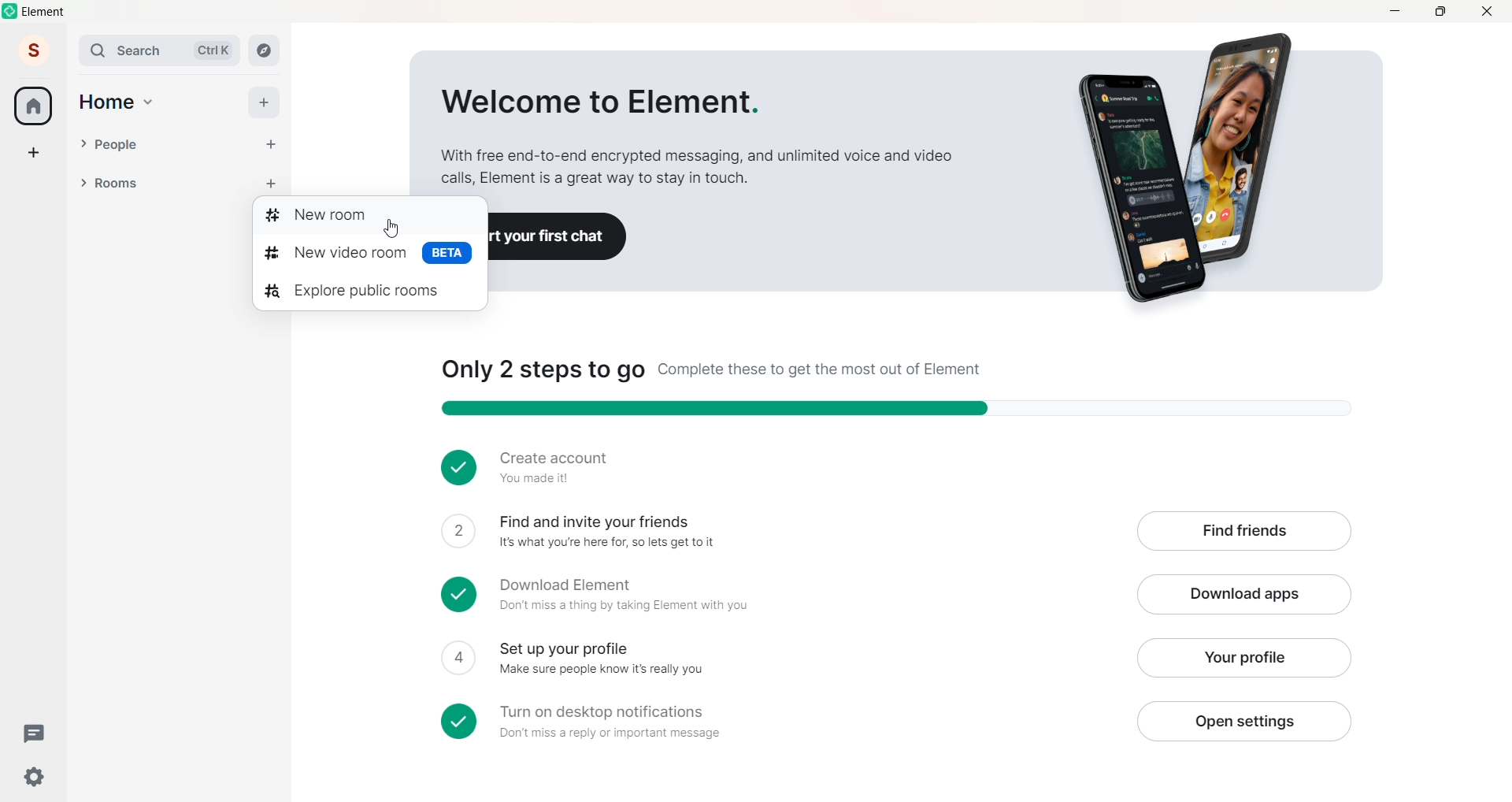  What do you see at coordinates (239, 184) in the screenshot?
I see `List options` at bounding box center [239, 184].